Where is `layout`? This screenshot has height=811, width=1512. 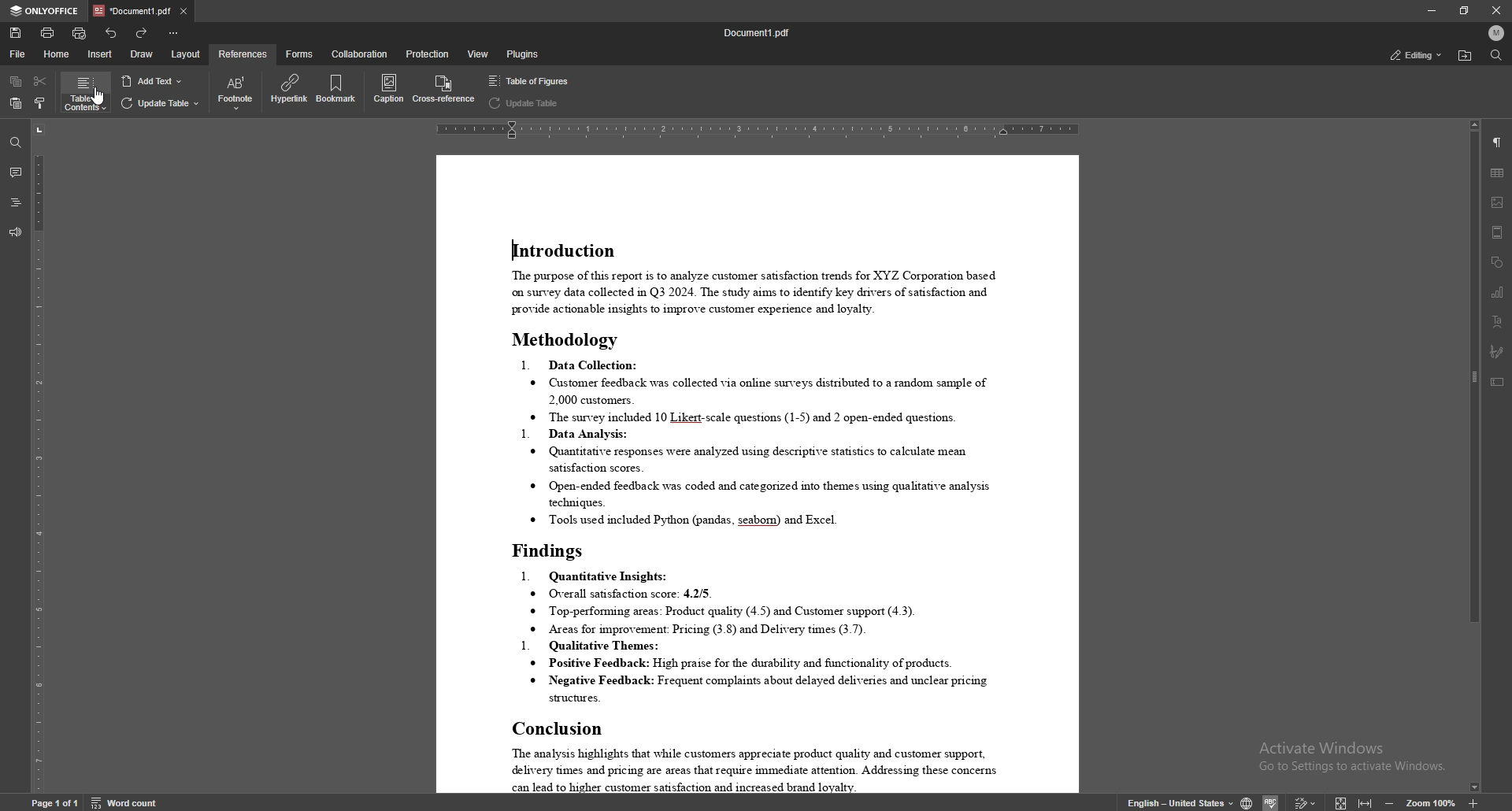 layout is located at coordinates (187, 54).